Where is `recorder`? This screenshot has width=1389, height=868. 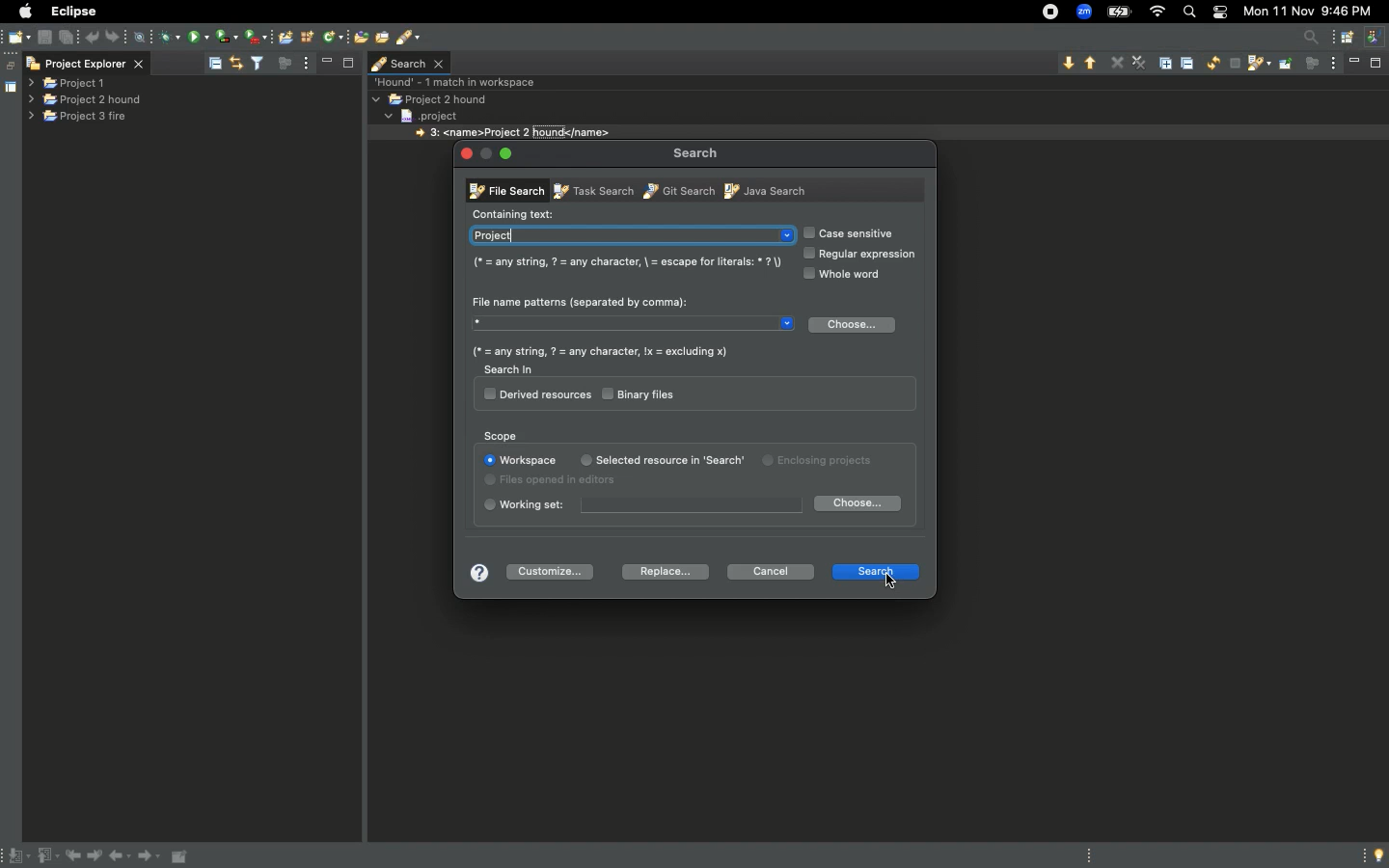 recorder is located at coordinates (1042, 11).